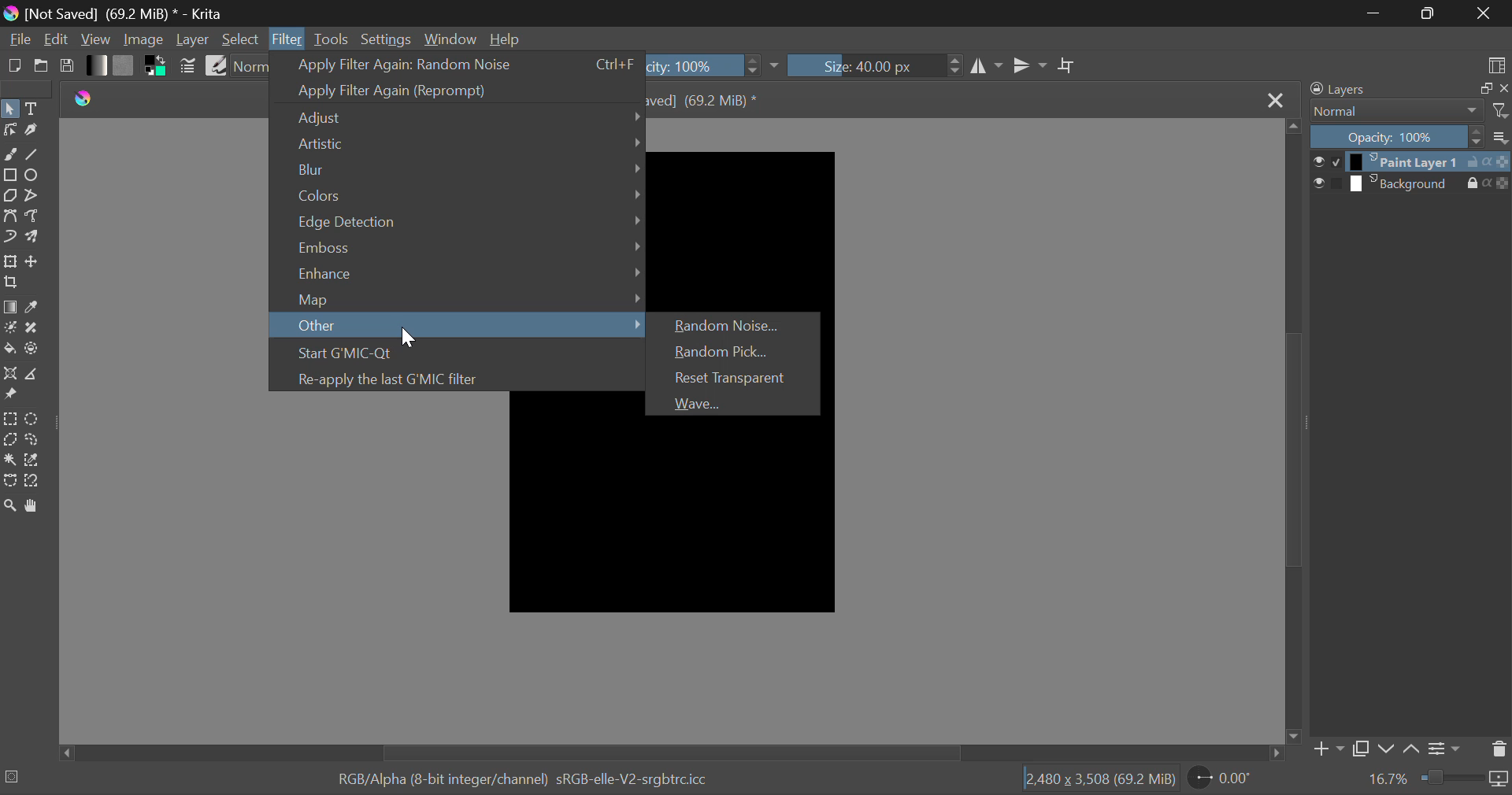  I want to click on Adjust, so click(460, 117).